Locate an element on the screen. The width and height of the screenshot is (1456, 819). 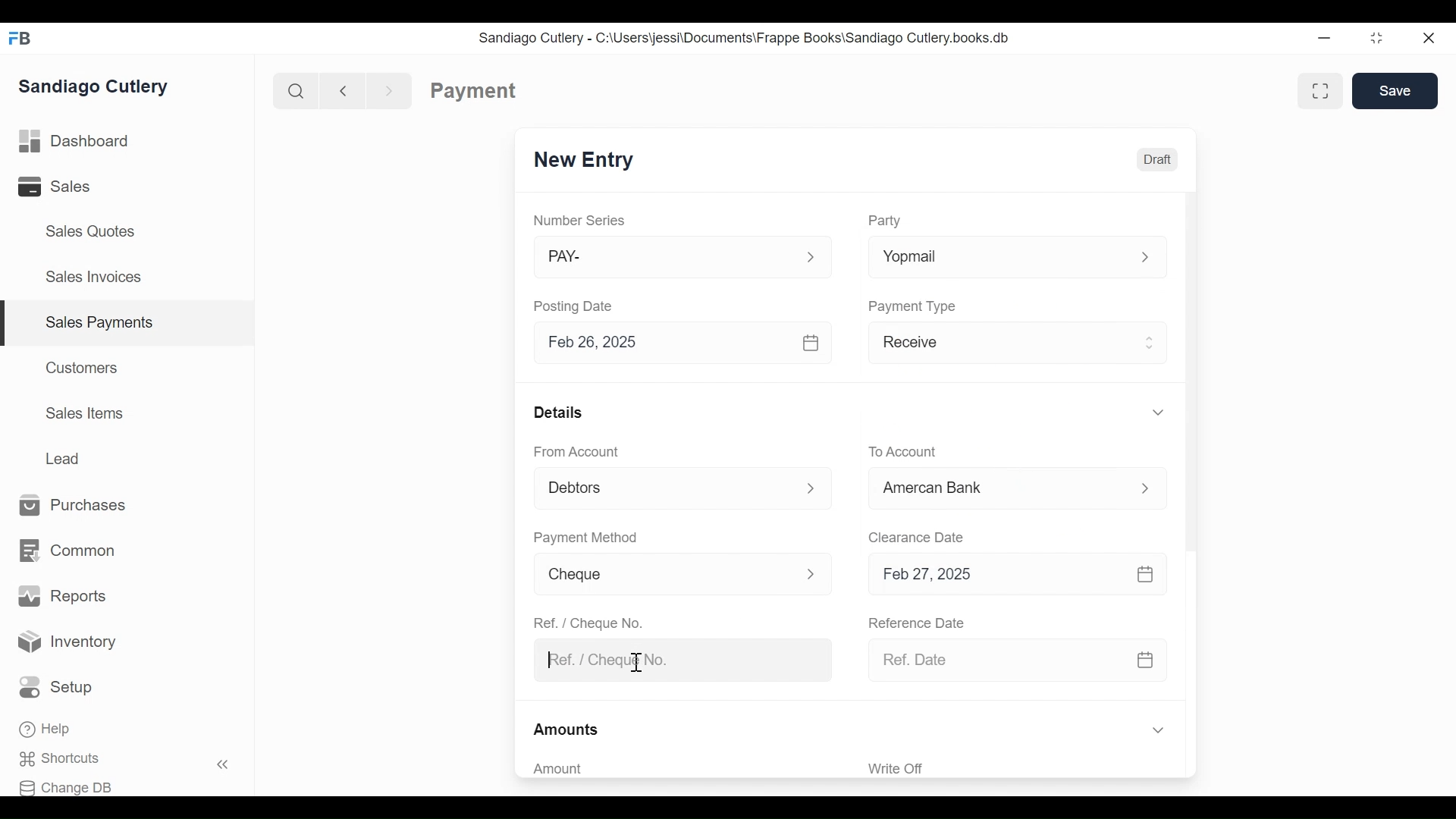
New Entry is located at coordinates (584, 161).